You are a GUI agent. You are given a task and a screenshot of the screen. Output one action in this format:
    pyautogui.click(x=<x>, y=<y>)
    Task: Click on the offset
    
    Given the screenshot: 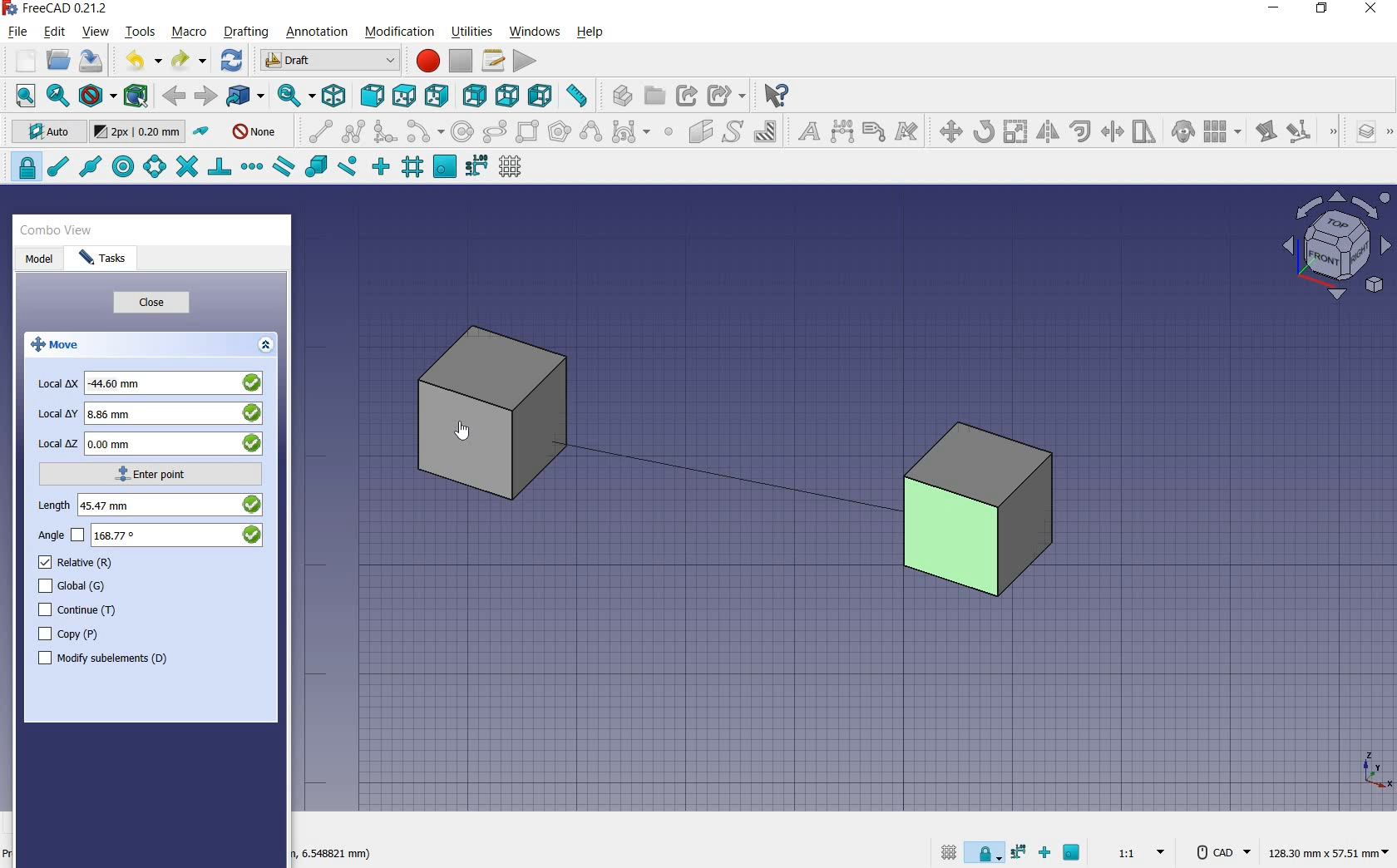 What is the action you would take?
    pyautogui.click(x=1081, y=131)
    